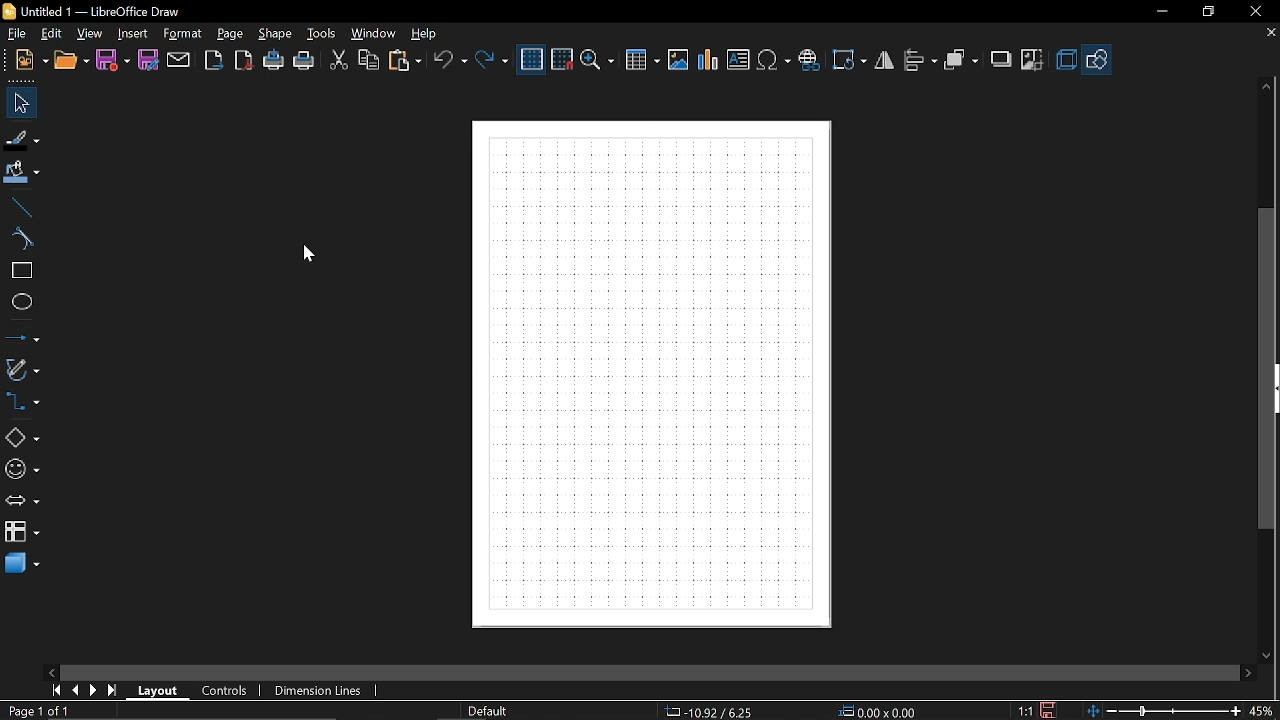  What do you see at coordinates (230, 34) in the screenshot?
I see `Page` at bounding box center [230, 34].